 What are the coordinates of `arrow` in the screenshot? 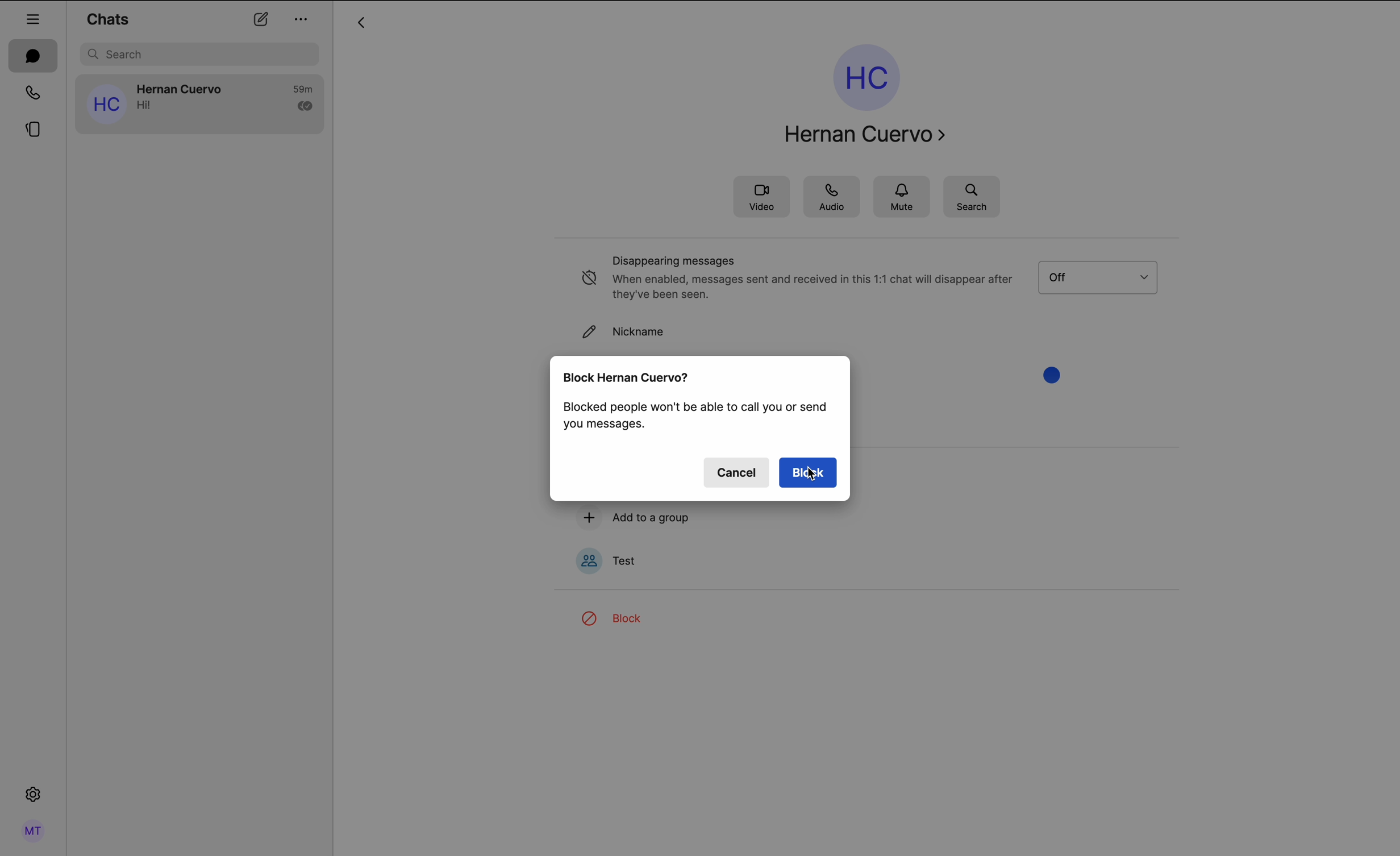 It's located at (363, 24).